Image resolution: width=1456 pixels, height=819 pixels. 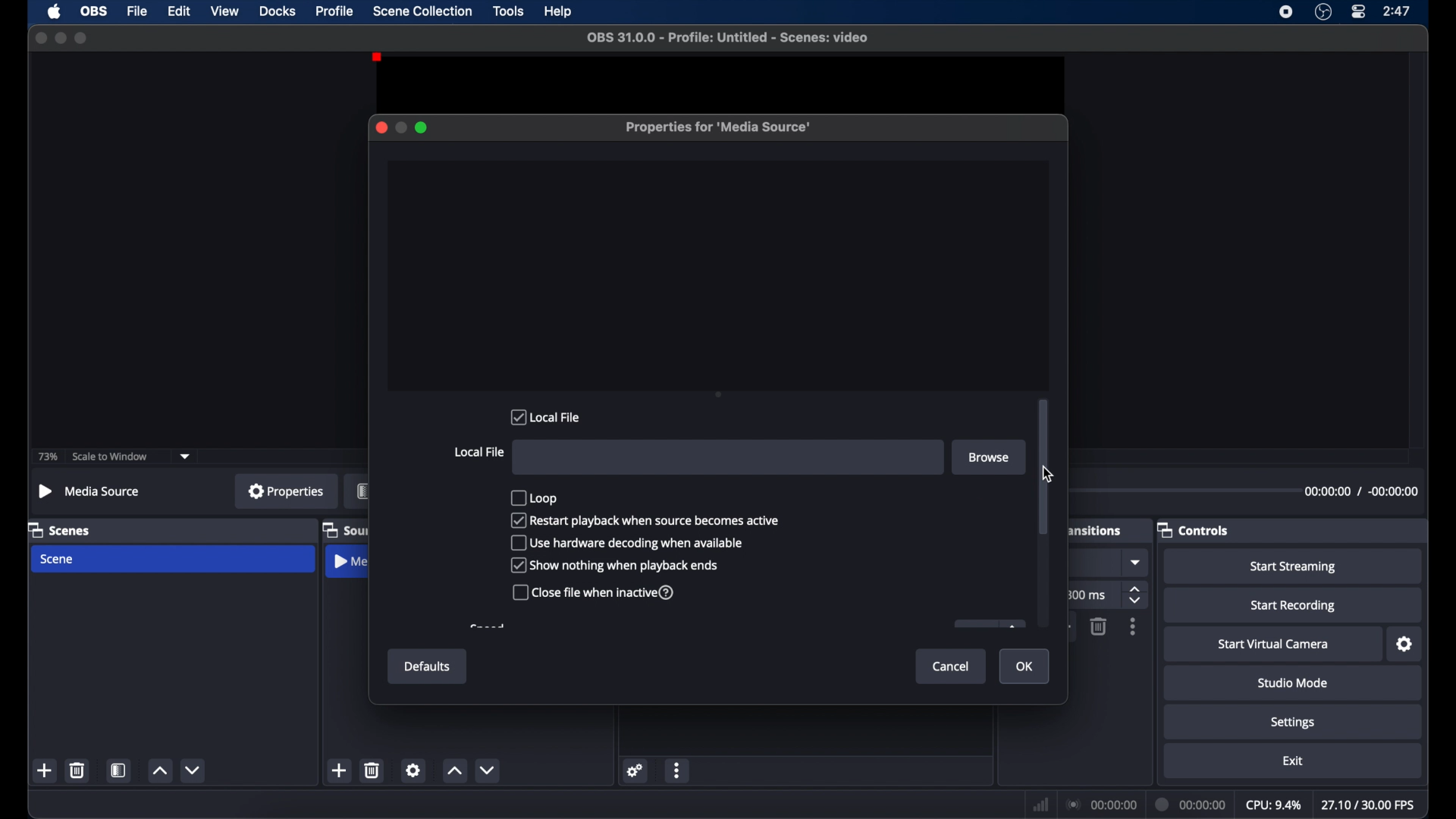 I want to click on file, so click(x=138, y=11).